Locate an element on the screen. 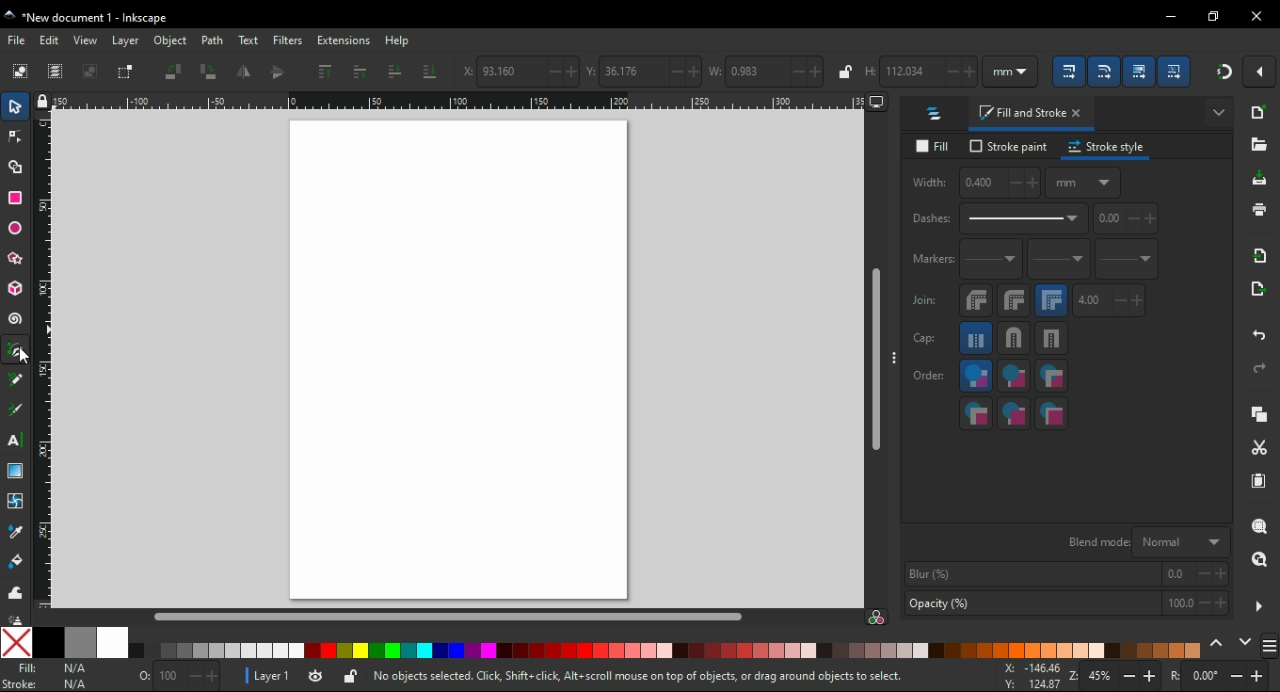 The height and width of the screenshot is (692, 1280). toggle selection box to select all touched objects  is located at coordinates (124, 72).